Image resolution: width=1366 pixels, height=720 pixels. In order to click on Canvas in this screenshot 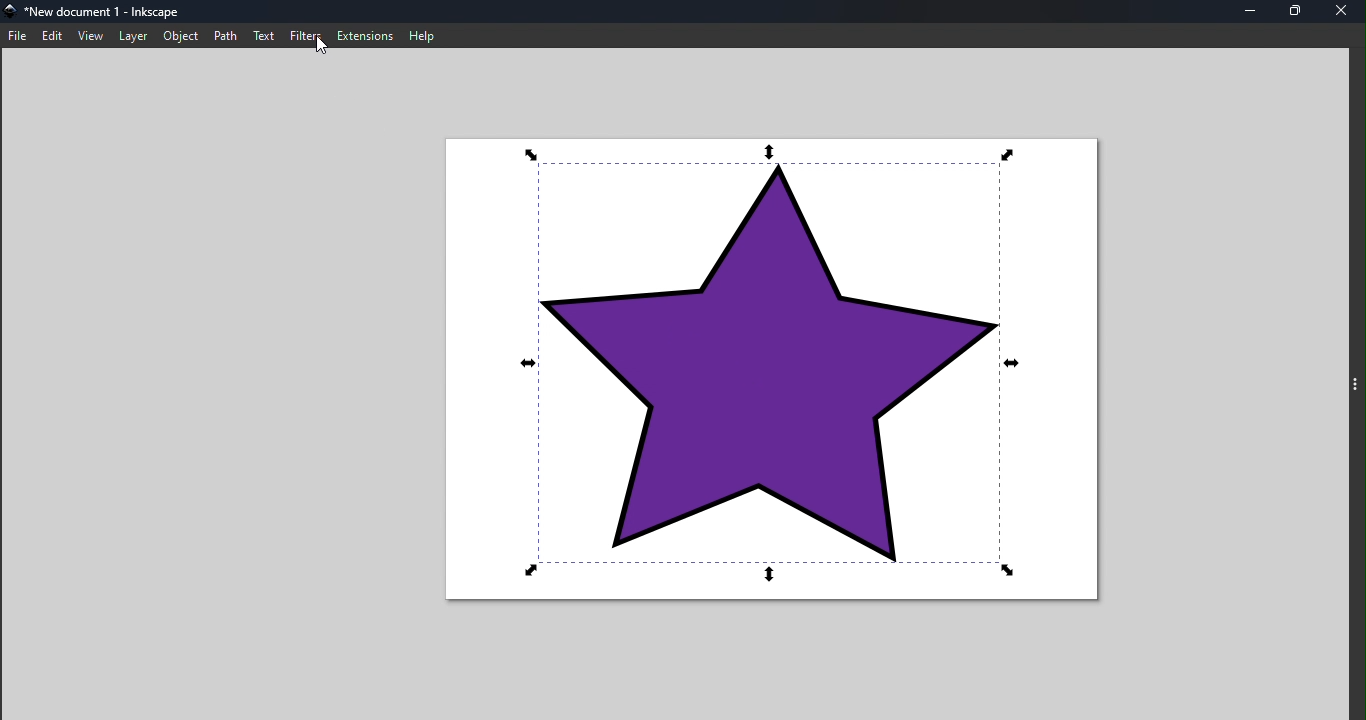, I will do `click(770, 370)`.